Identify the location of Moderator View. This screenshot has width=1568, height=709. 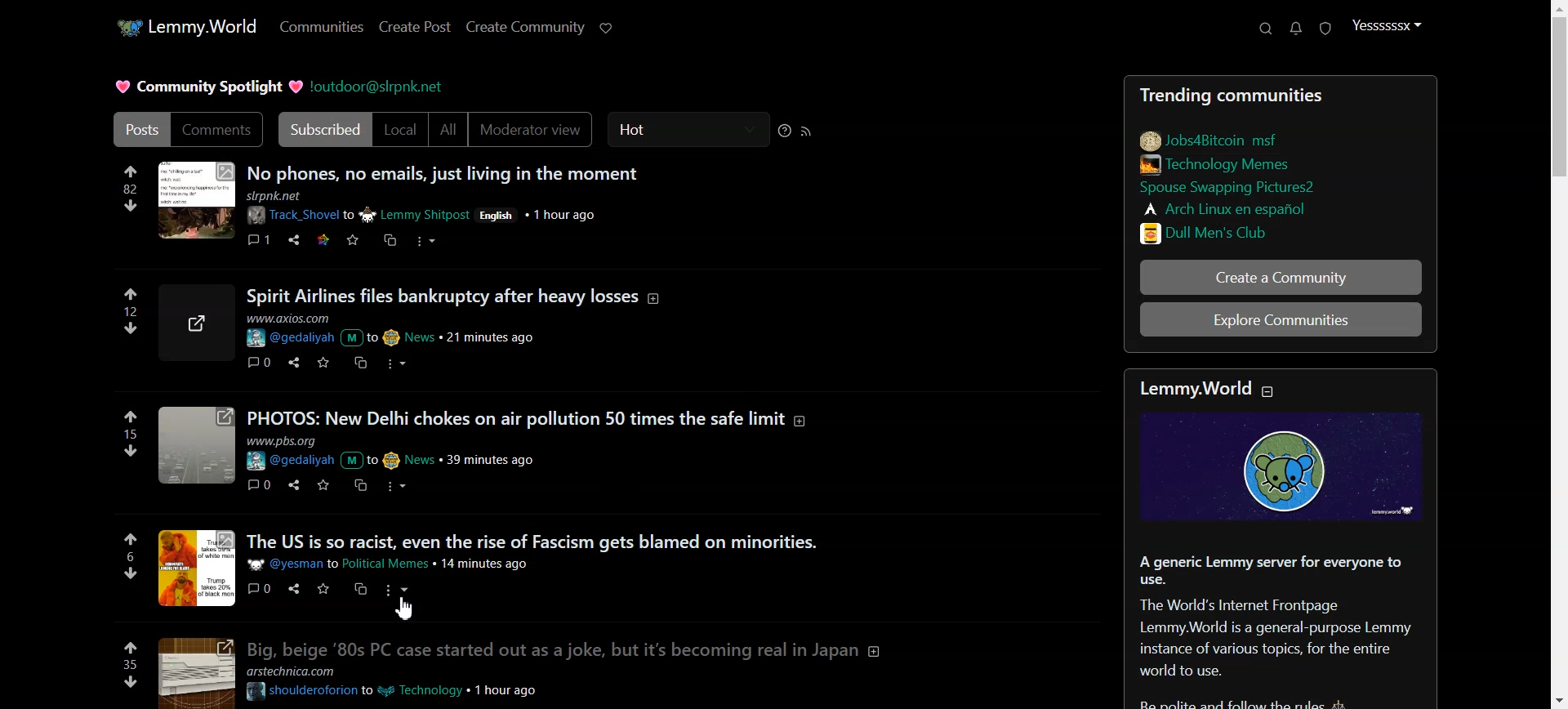
(534, 130).